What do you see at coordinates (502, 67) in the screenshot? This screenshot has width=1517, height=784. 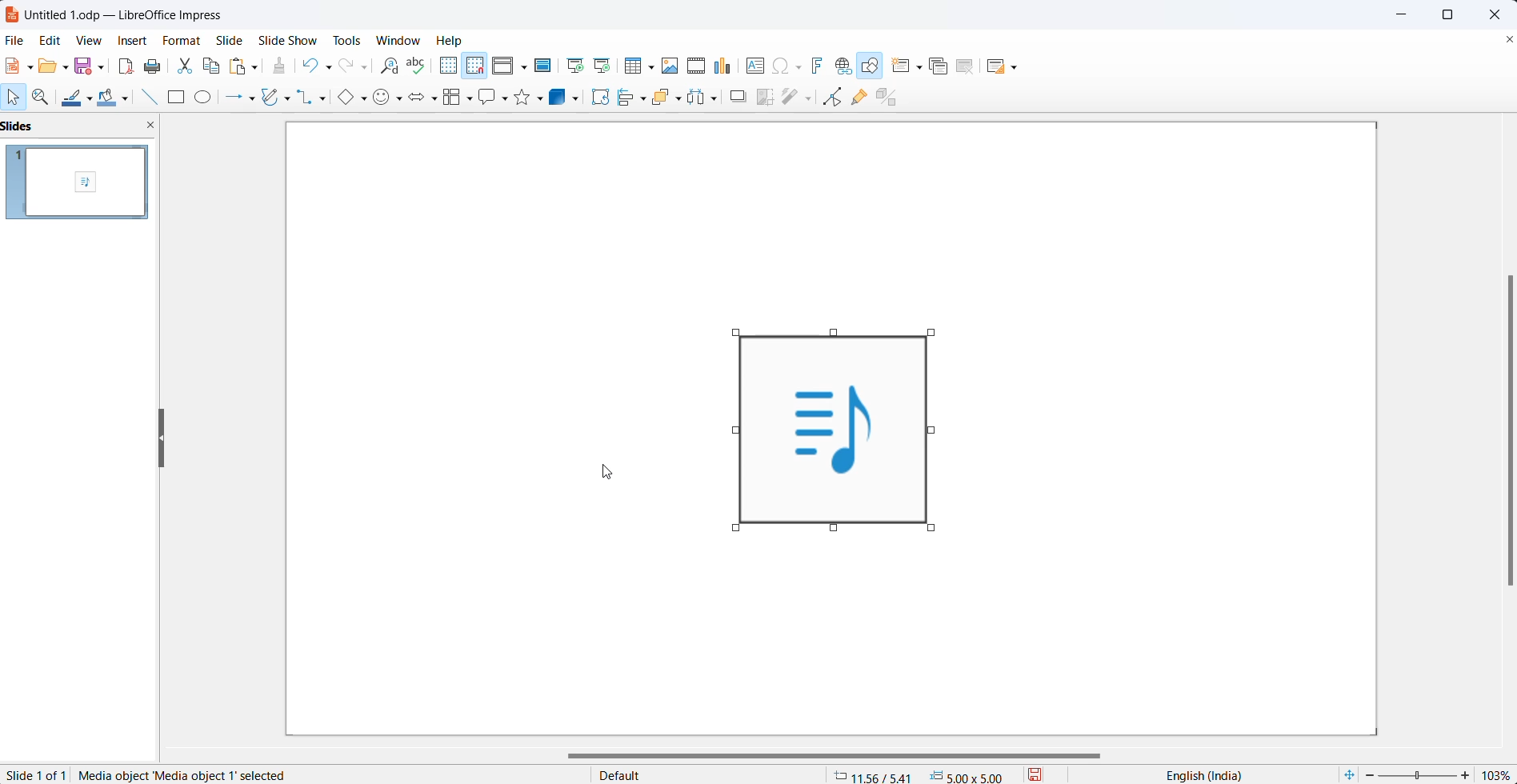 I see `display views` at bounding box center [502, 67].